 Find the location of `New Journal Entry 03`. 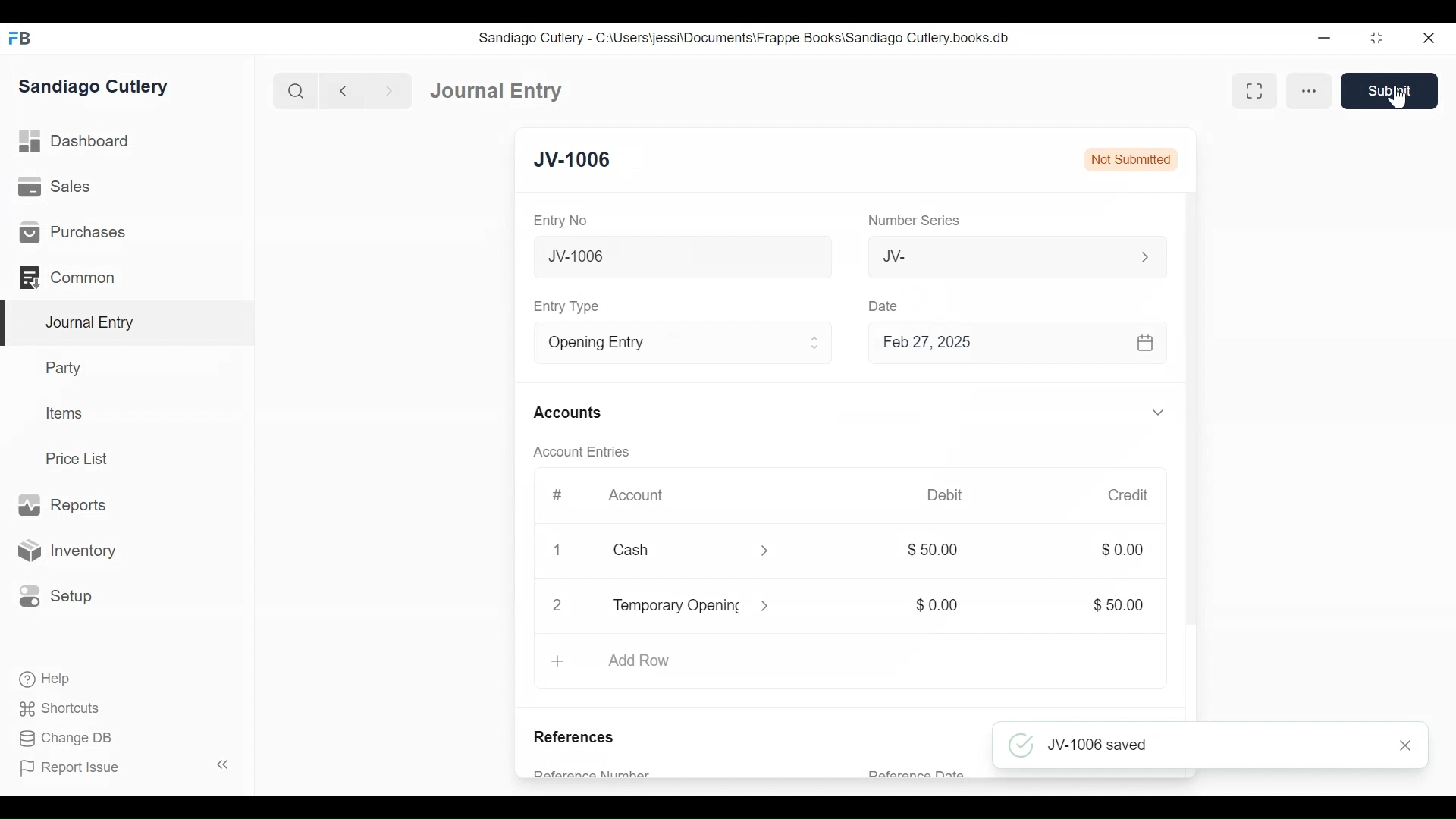

New Journal Entry 03 is located at coordinates (679, 257).